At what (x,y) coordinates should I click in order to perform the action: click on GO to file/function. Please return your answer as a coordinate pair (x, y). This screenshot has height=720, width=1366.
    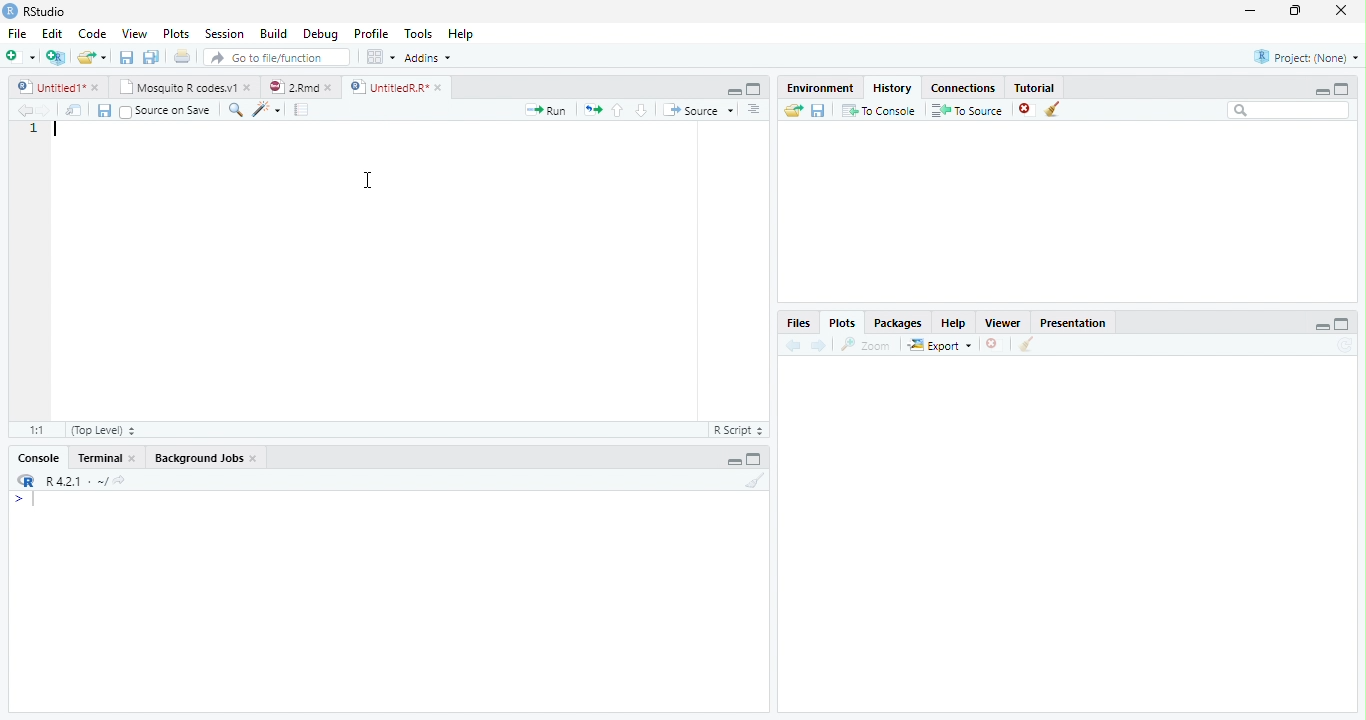
    Looking at the image, I should click on (273, 57).